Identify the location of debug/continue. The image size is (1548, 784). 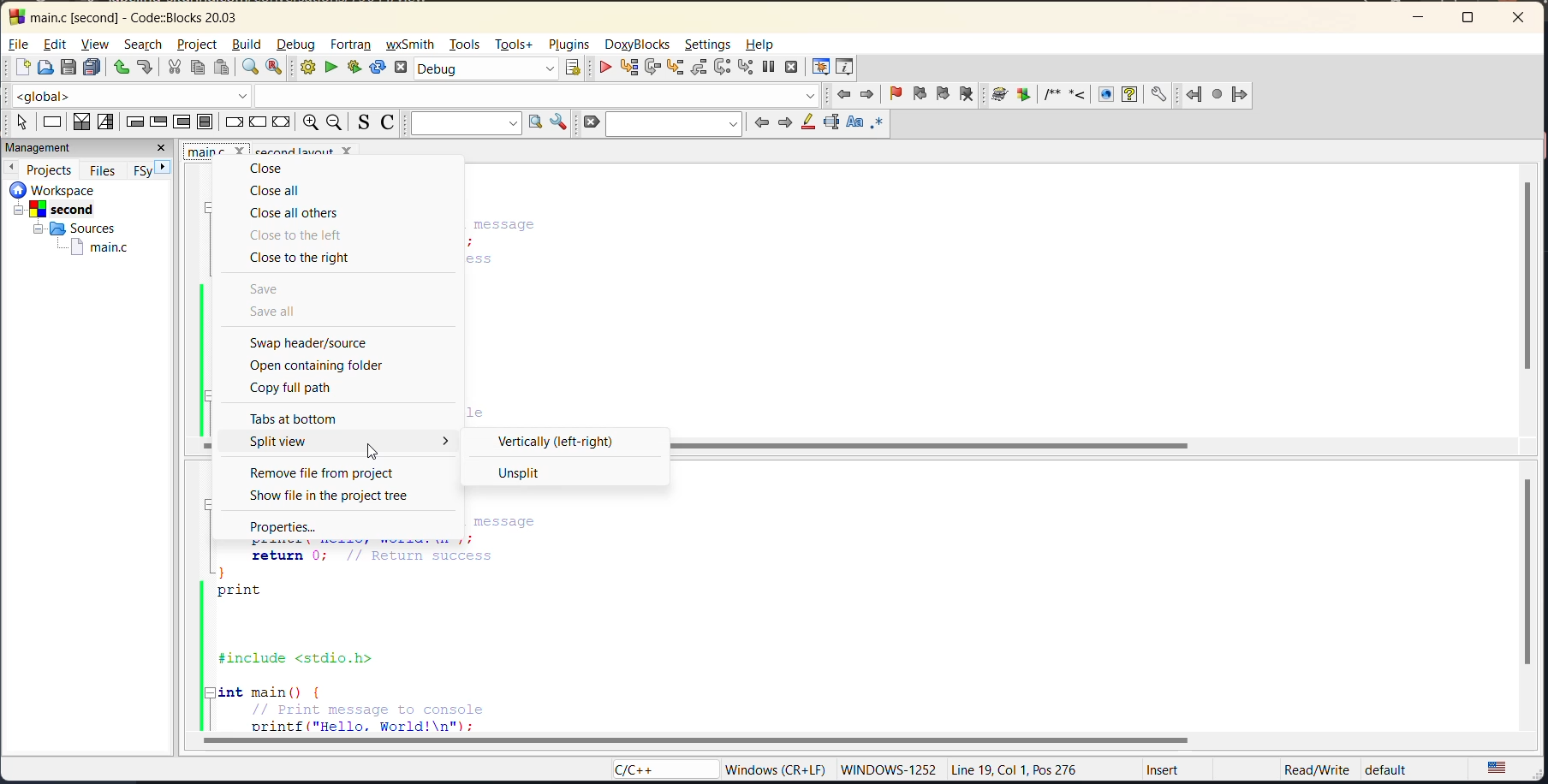
(604, 69).